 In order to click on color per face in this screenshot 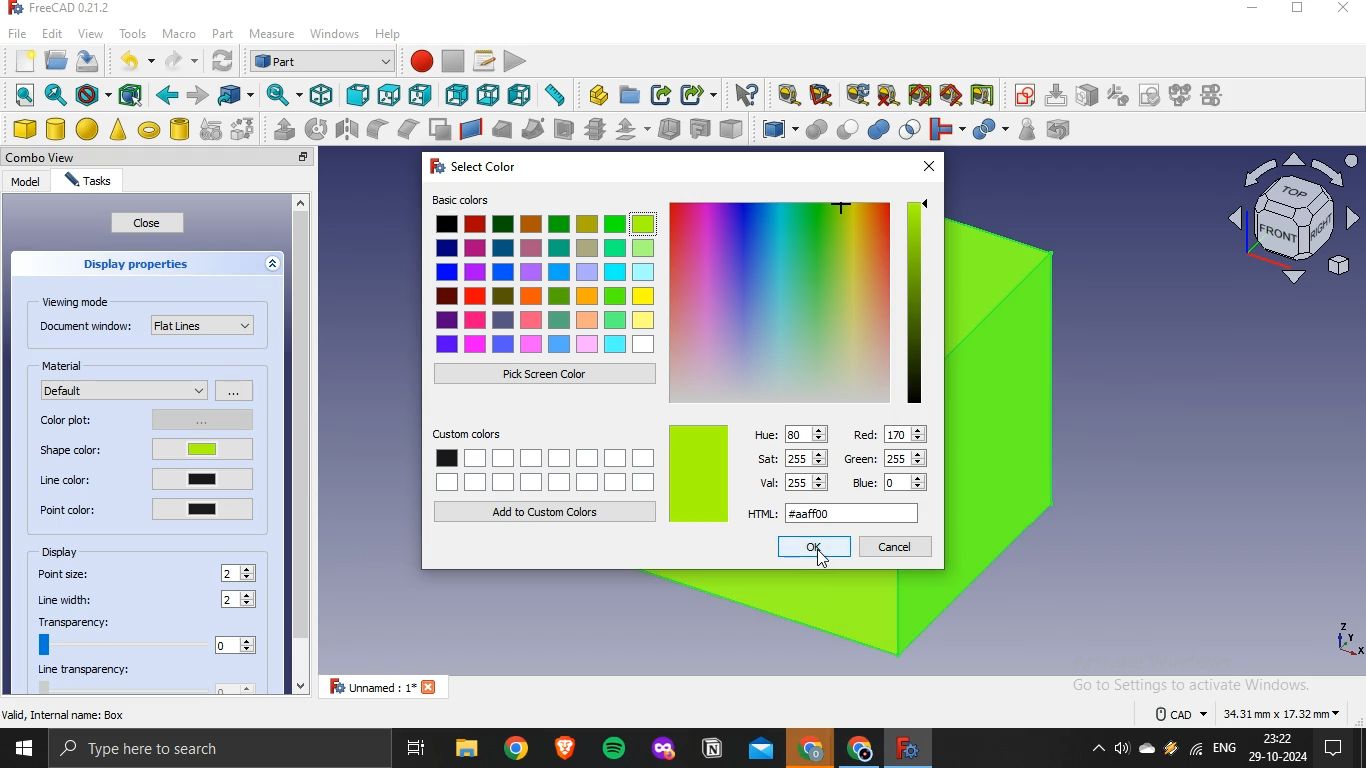, I will do `click(731, 128)`.